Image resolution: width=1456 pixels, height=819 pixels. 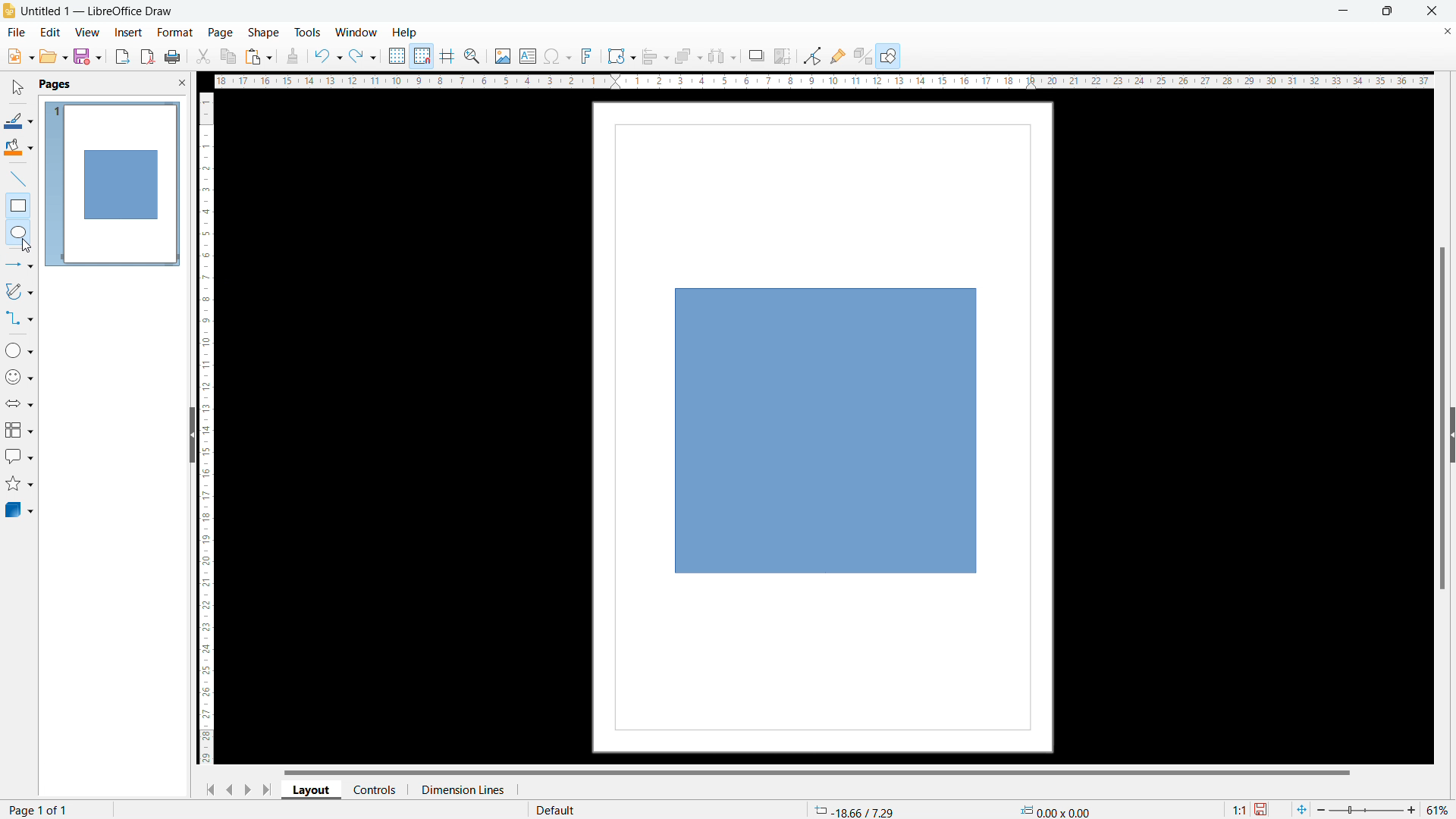 What do you see at coordinates (1341, 10) in the screenshot?
I see `minimize` at bounding box center [1341, 10].